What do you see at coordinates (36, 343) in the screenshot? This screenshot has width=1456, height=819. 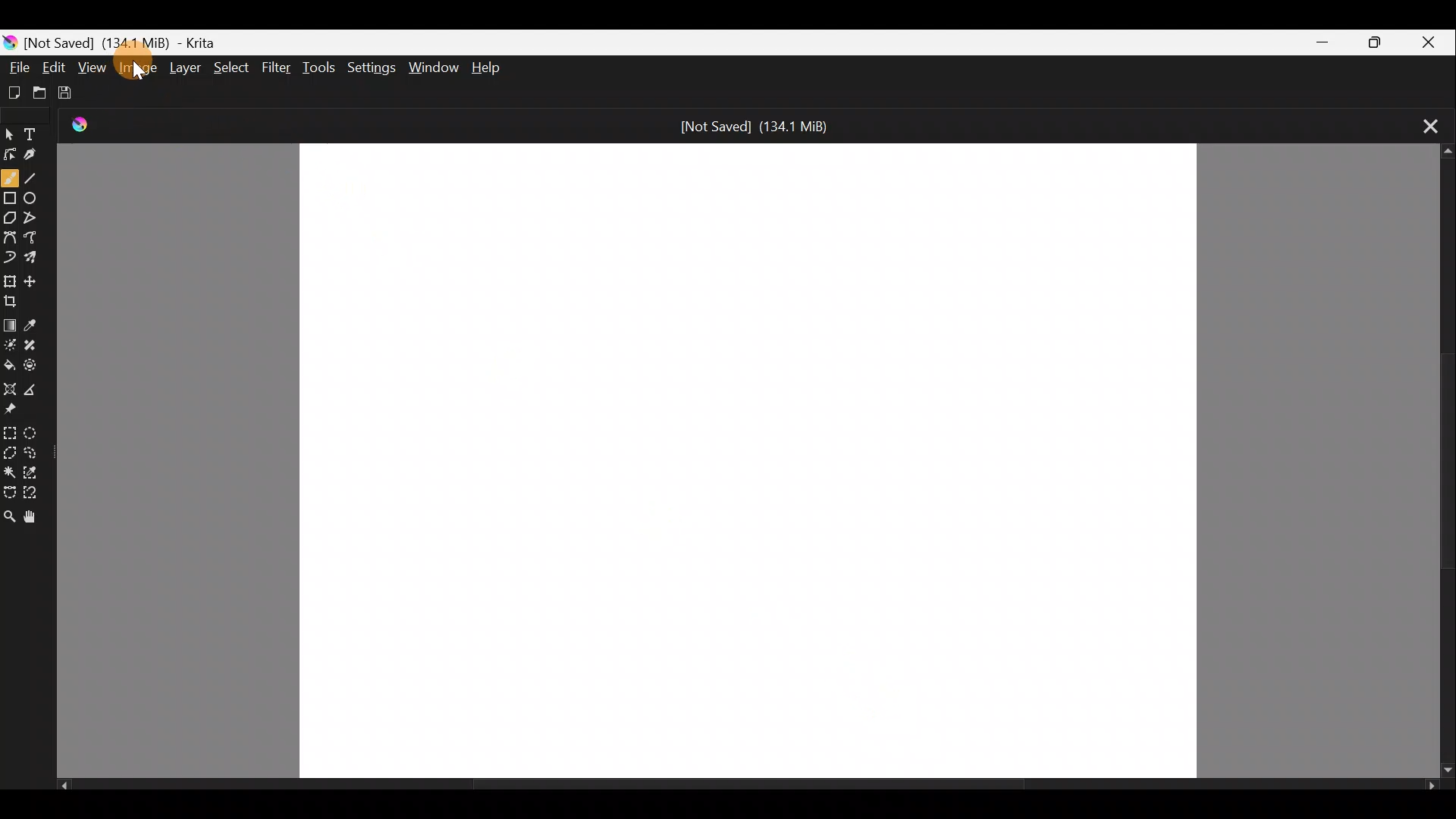 I see `Smart patch tool` at bounding box center [36, 343].